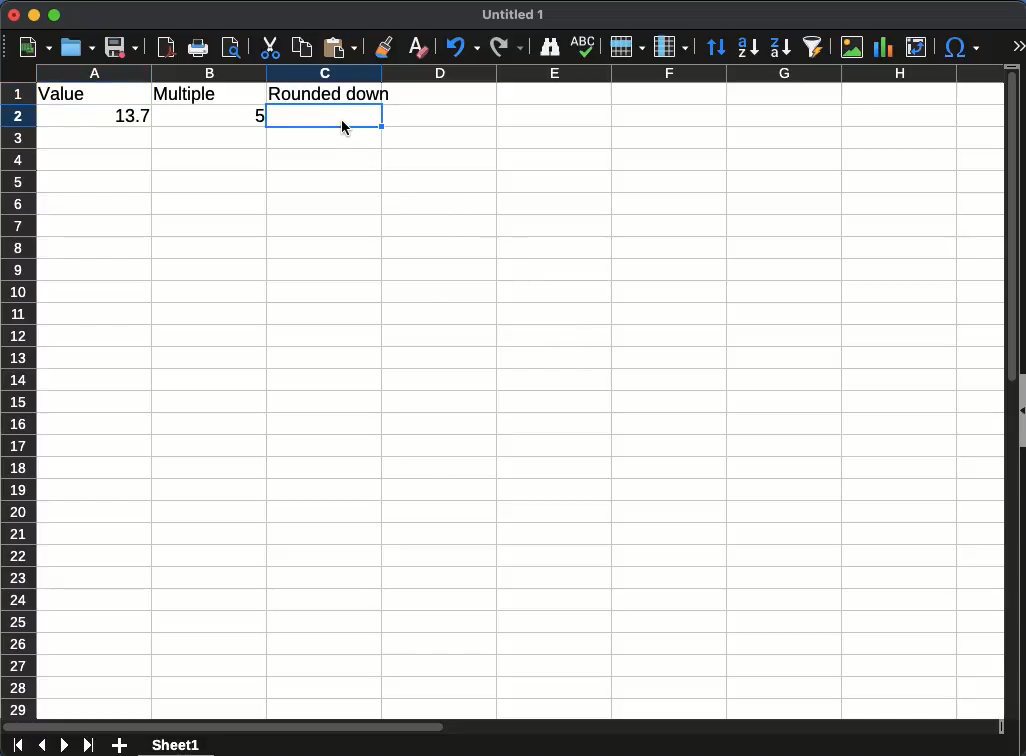 This screenshot has width=1026, height=756. What do you see at coordinates (1003, 400) in the screenshot?
I see `scroll` at bounding box center [1003, 400].